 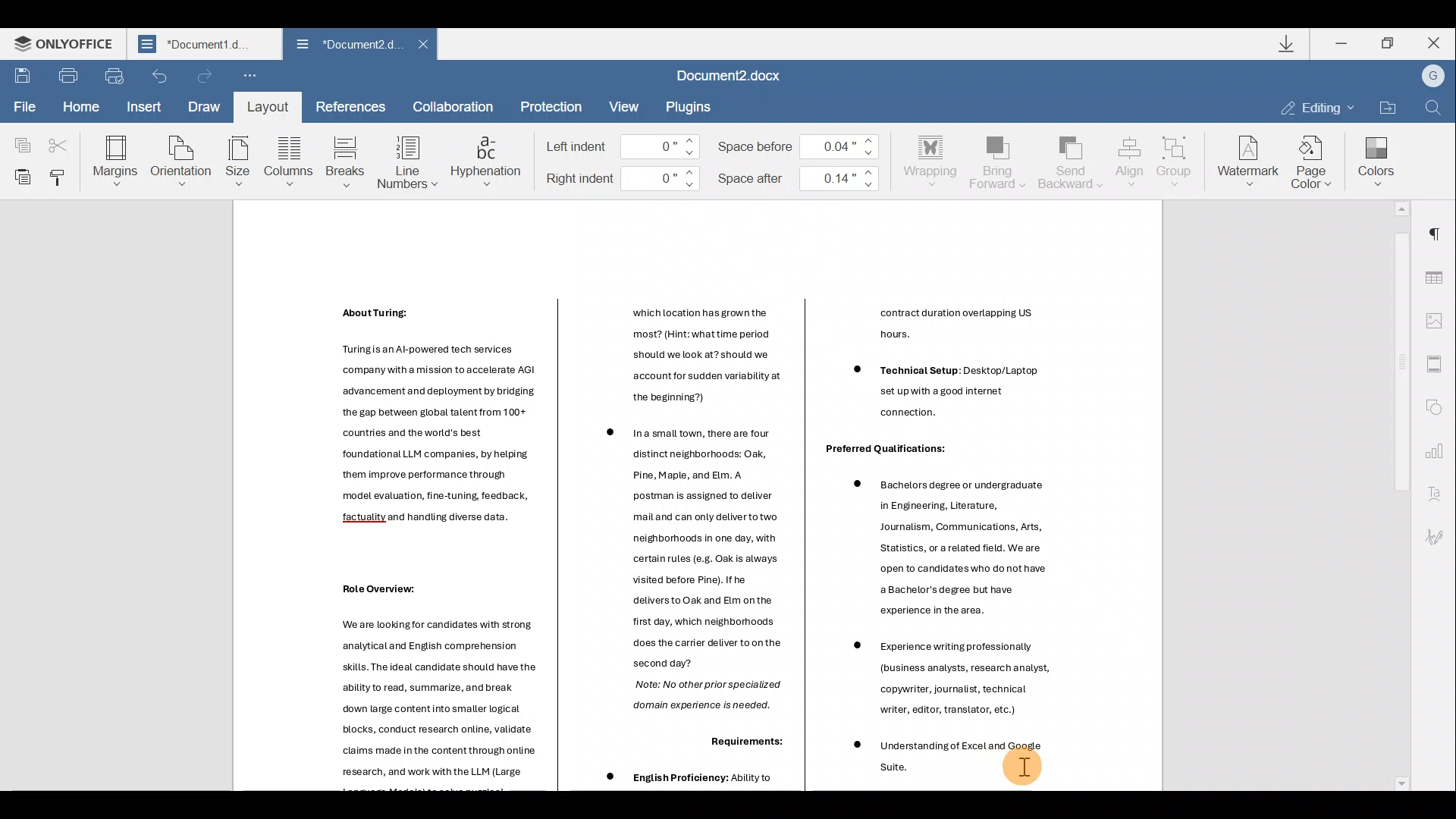 I want to click on Document2.d, so click(x=347, y=48).